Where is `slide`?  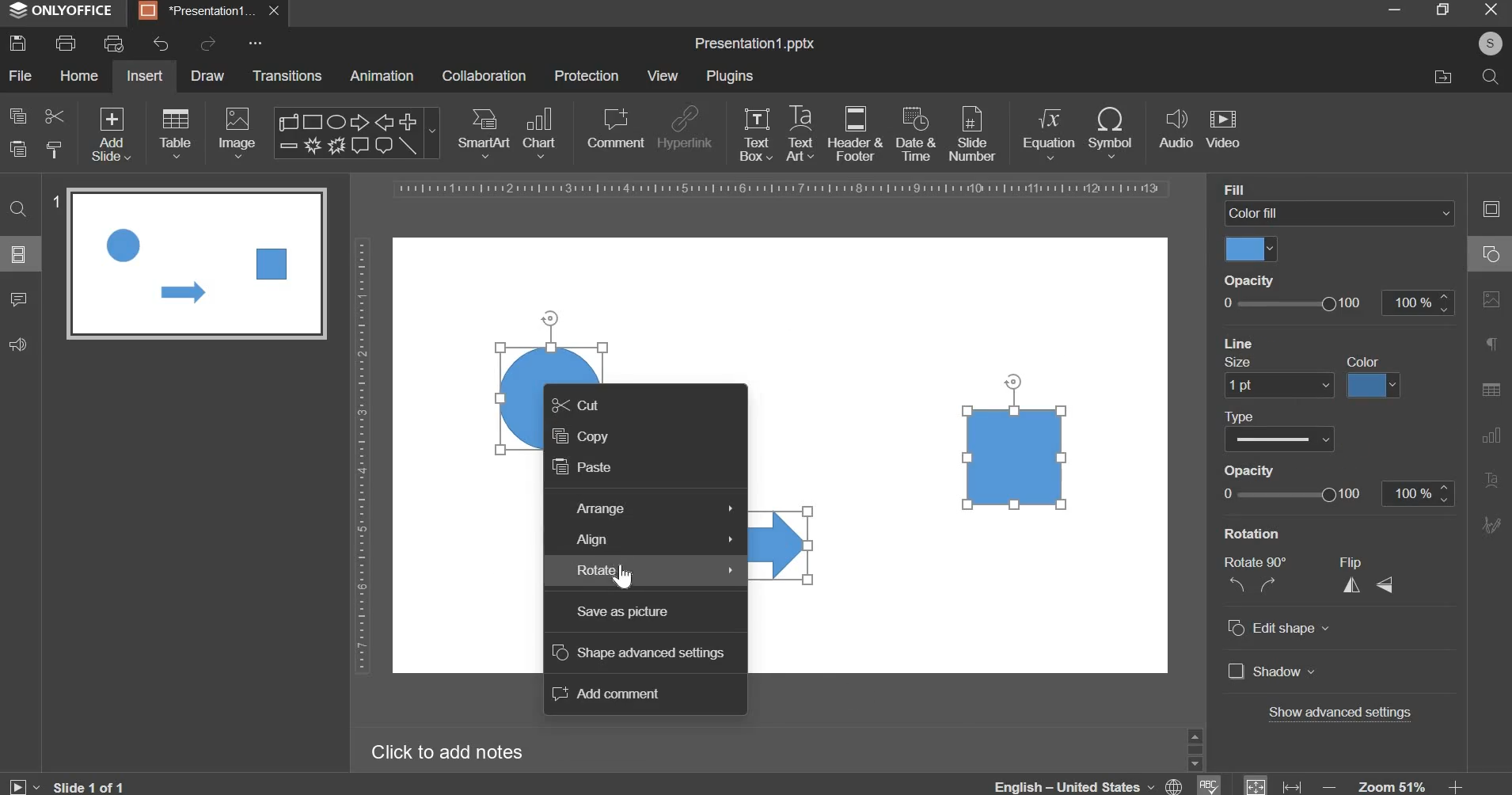
slide is located at coordinates (19, 253).